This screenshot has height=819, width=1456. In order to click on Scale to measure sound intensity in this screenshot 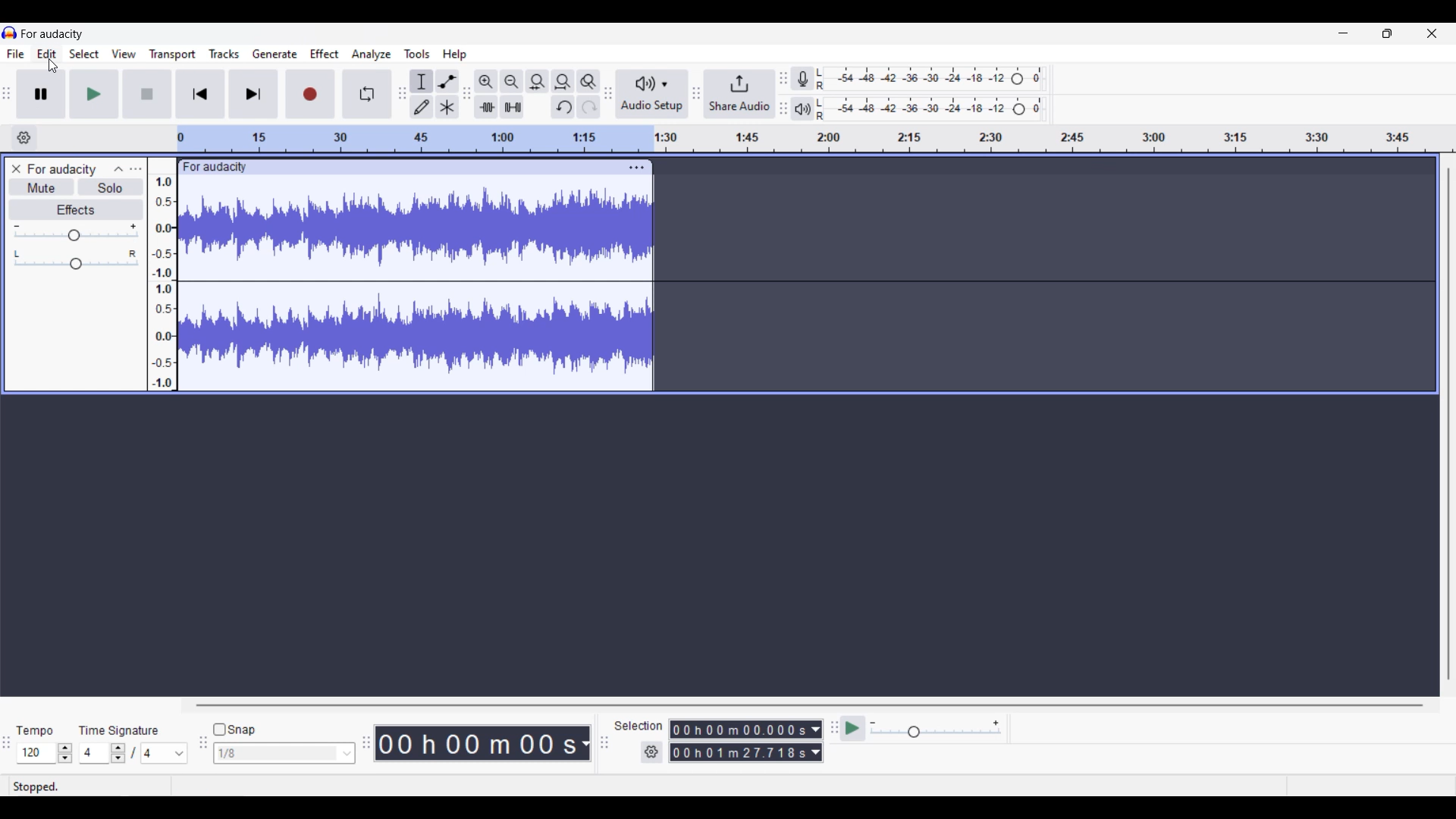, I will do `click(162, 275)`.